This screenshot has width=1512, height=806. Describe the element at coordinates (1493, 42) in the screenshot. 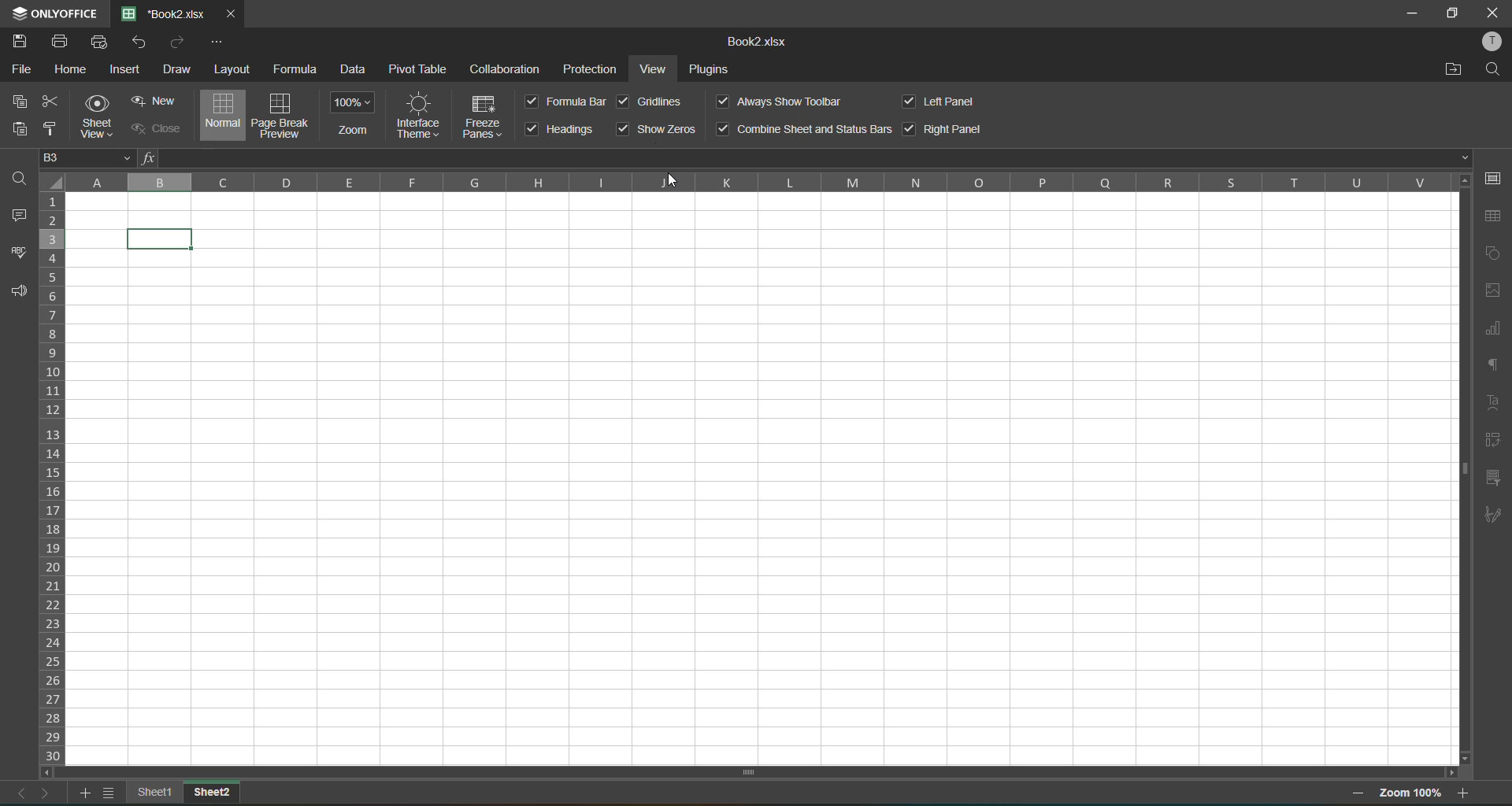

I see `profile` at that location.